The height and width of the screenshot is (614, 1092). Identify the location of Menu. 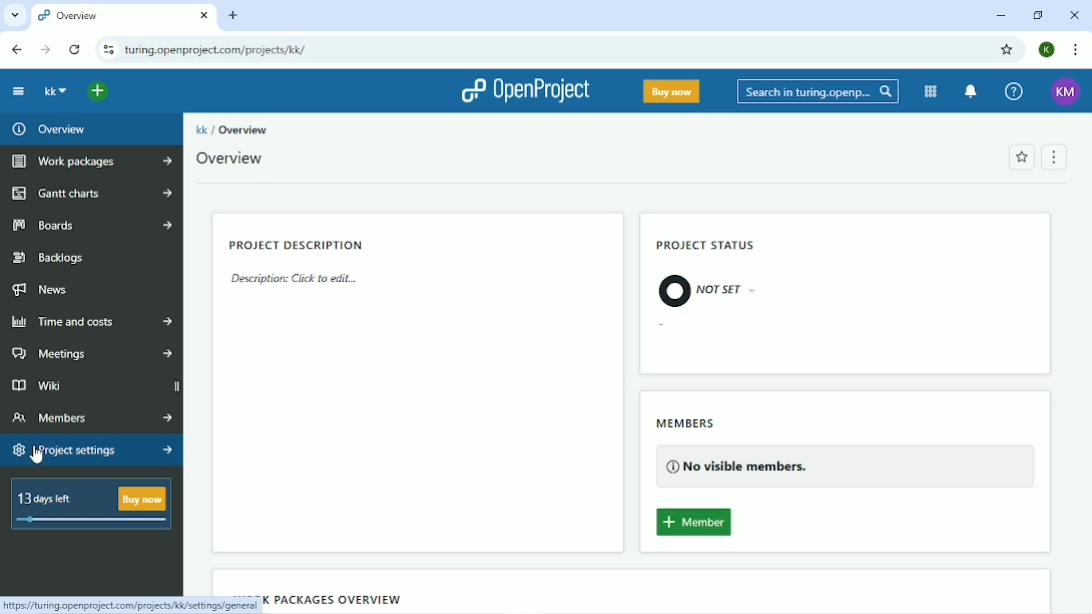
(1054, 157).